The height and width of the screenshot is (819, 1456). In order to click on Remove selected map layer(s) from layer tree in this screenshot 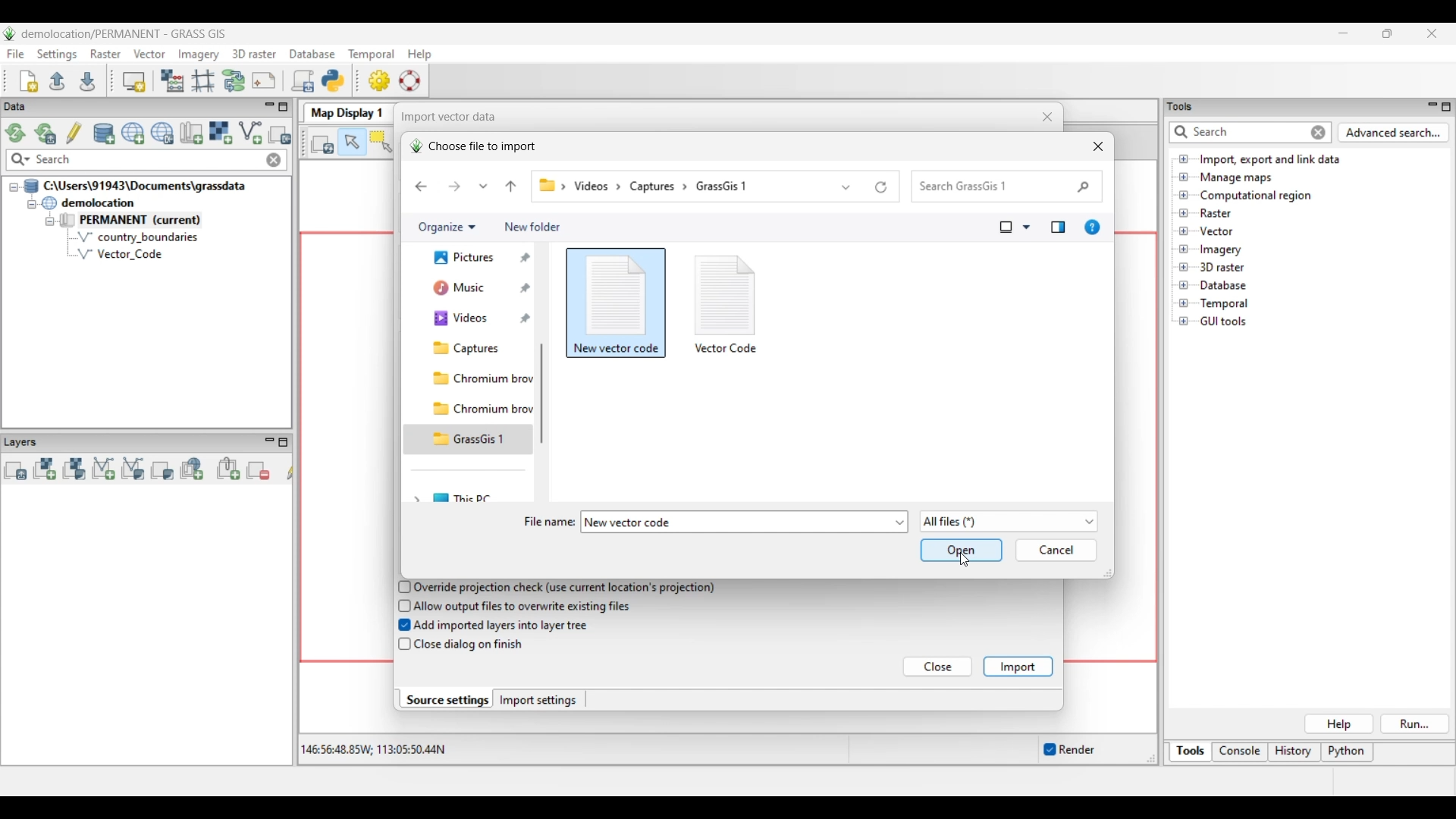, I will do `click(259, 469)`.